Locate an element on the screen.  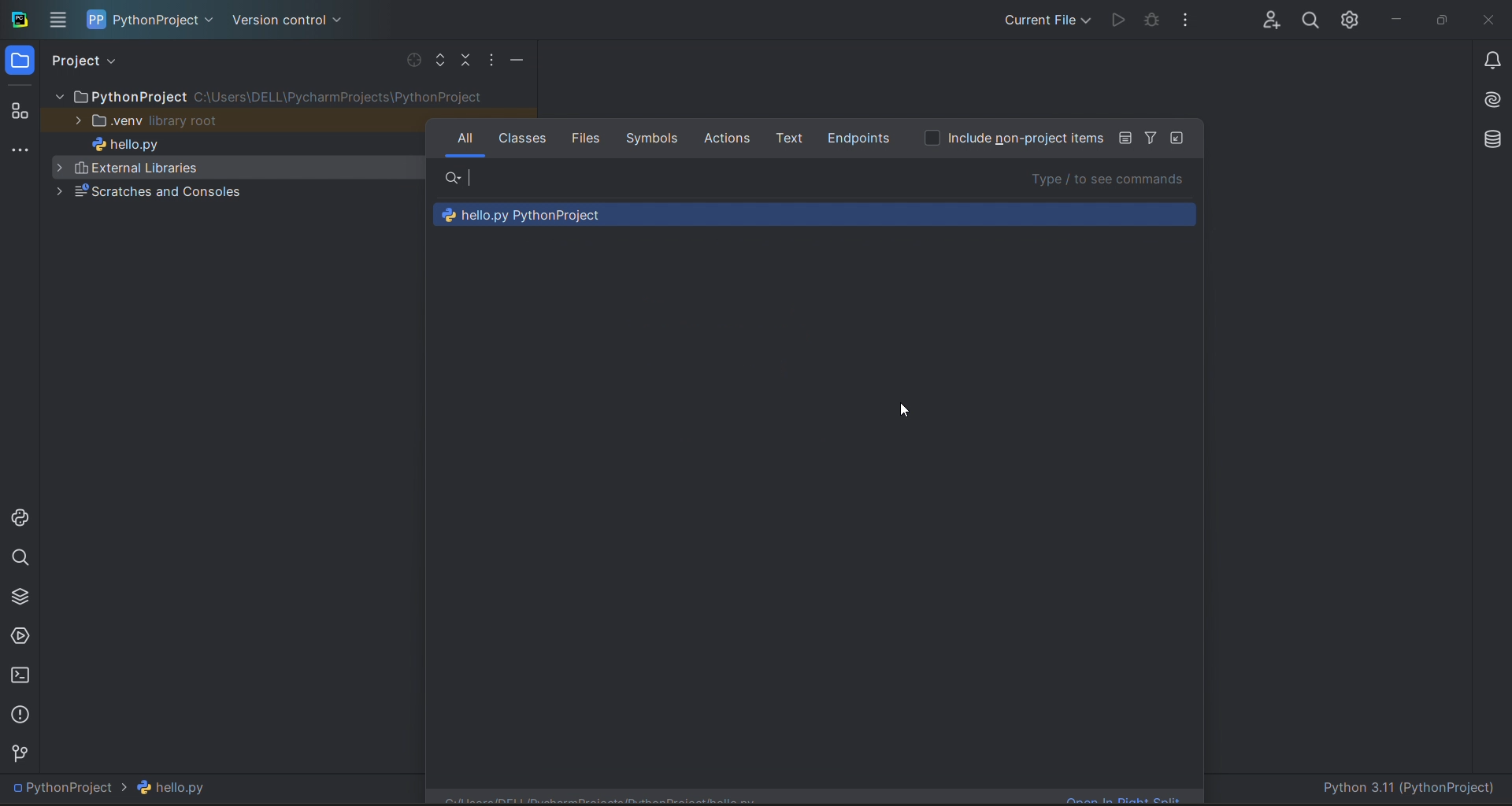
search bar is located at coordinates (813, 179).